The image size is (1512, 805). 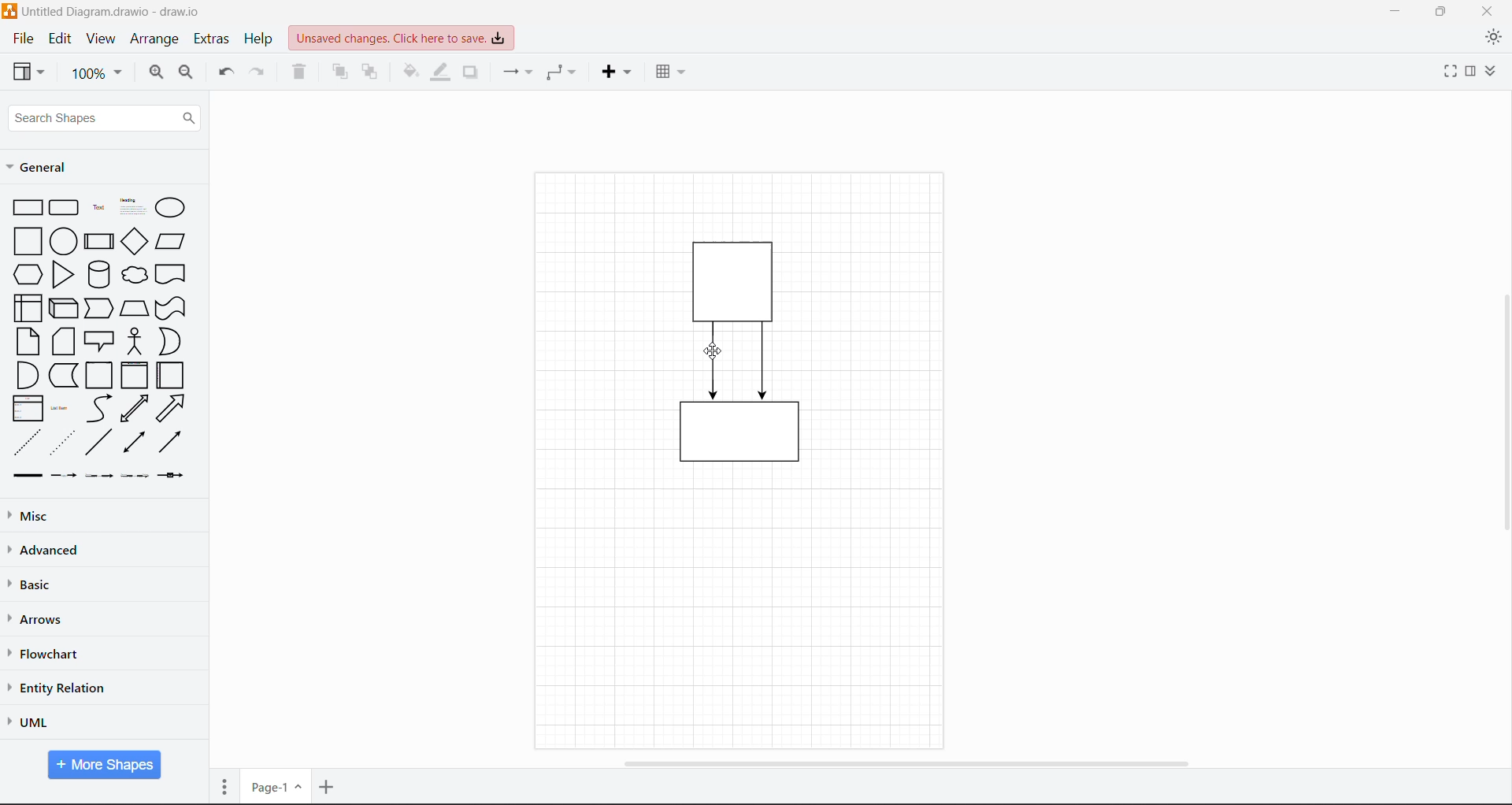 What do you see at coordinates (275, 787) in the screenshot?
I see `Page-1` at bounding box center [275, 787].